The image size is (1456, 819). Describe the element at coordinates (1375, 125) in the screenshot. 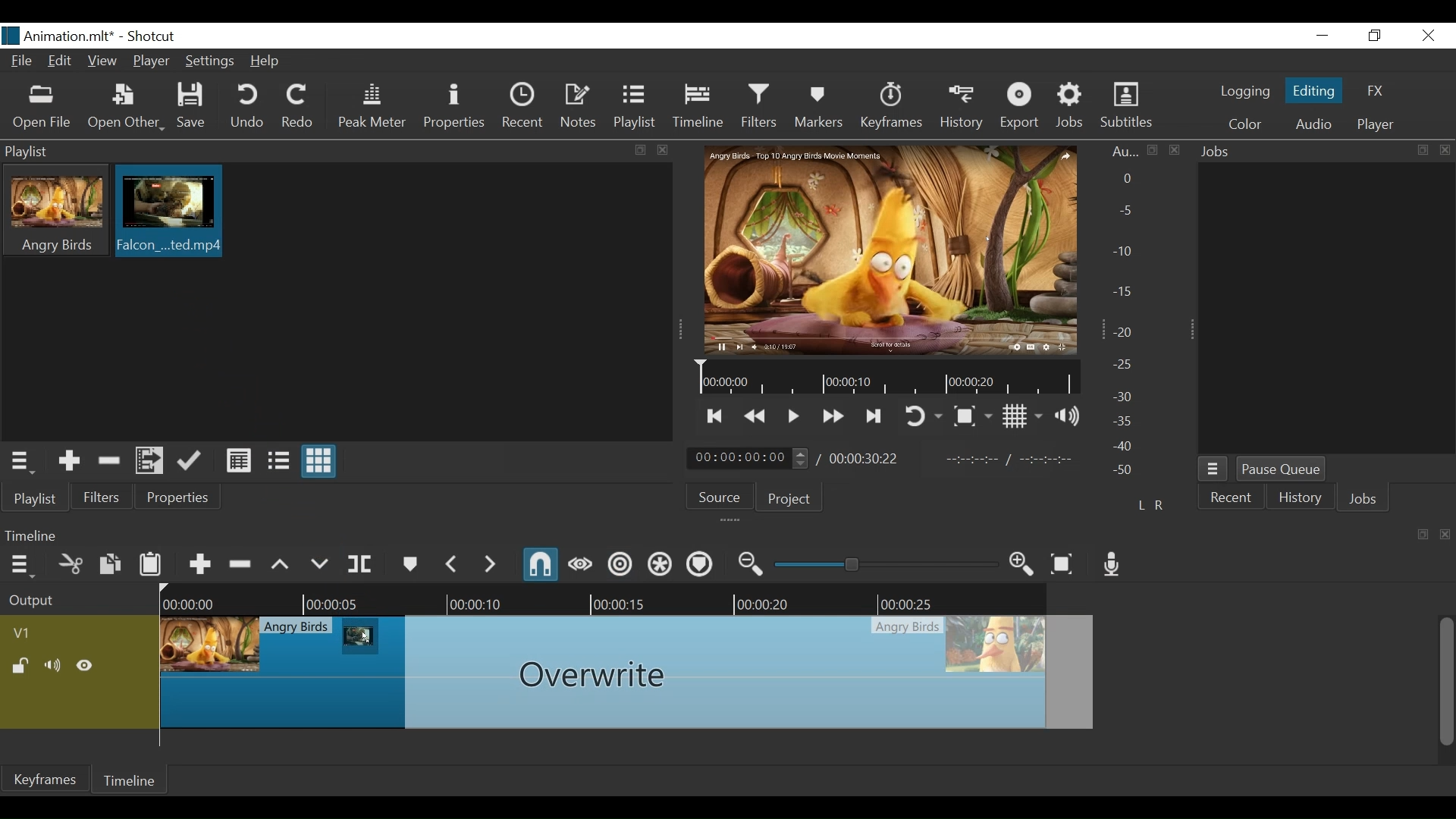

I see `Player` at that location.